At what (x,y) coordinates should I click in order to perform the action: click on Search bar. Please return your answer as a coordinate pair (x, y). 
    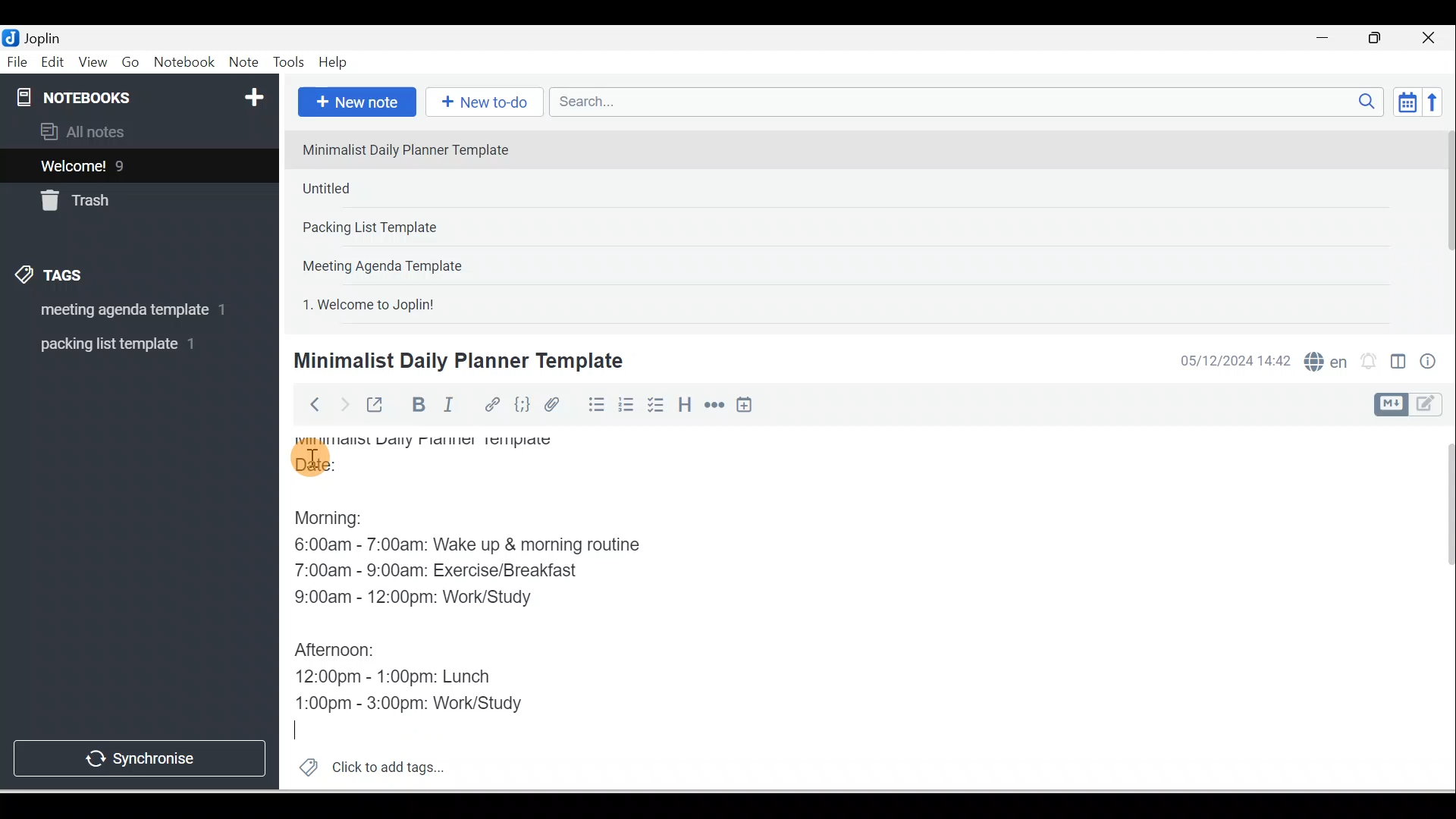
    Looking at the image, I should click on (971, 102).